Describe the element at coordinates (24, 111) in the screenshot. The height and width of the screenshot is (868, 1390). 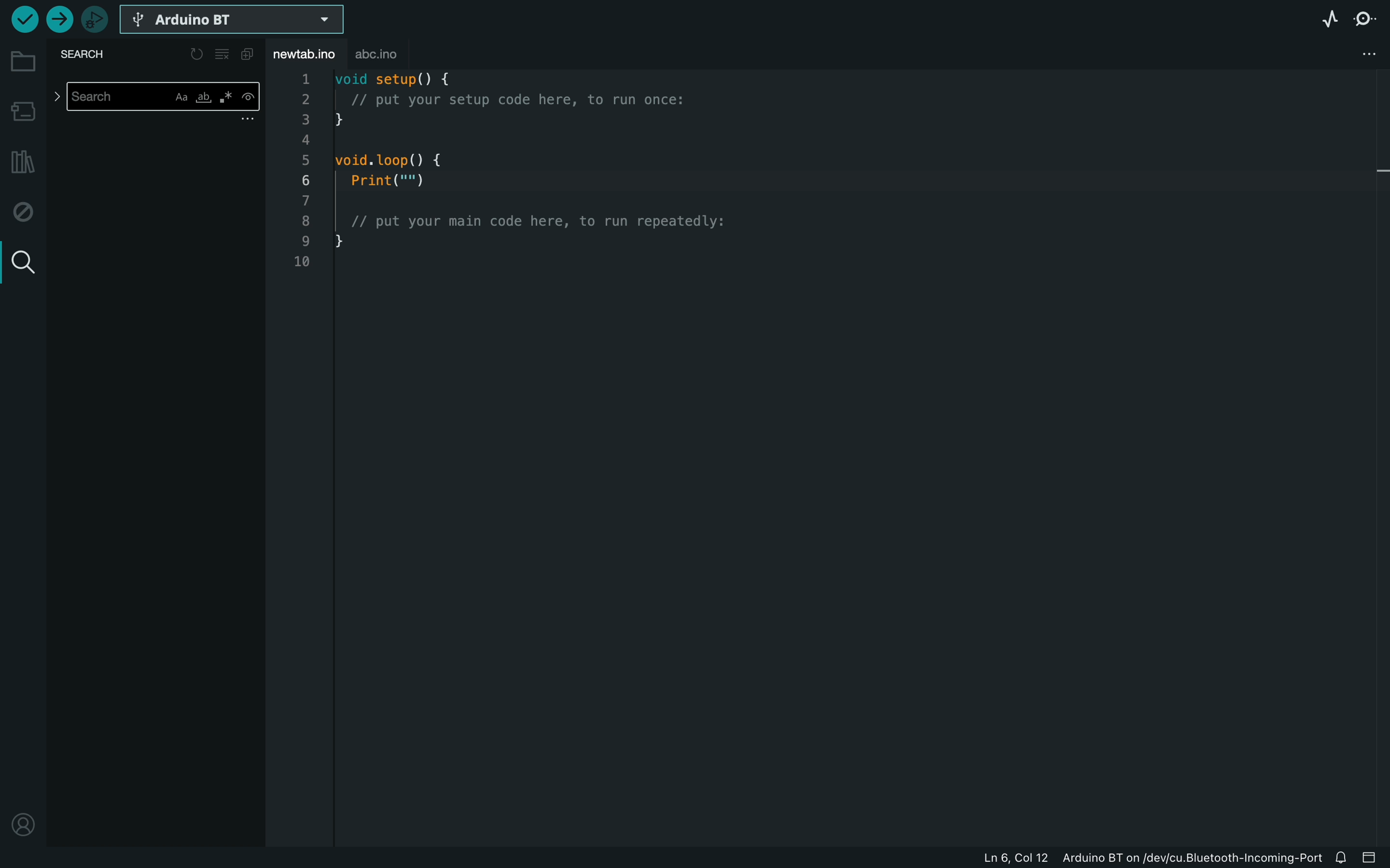
I see `board manager` at that location.